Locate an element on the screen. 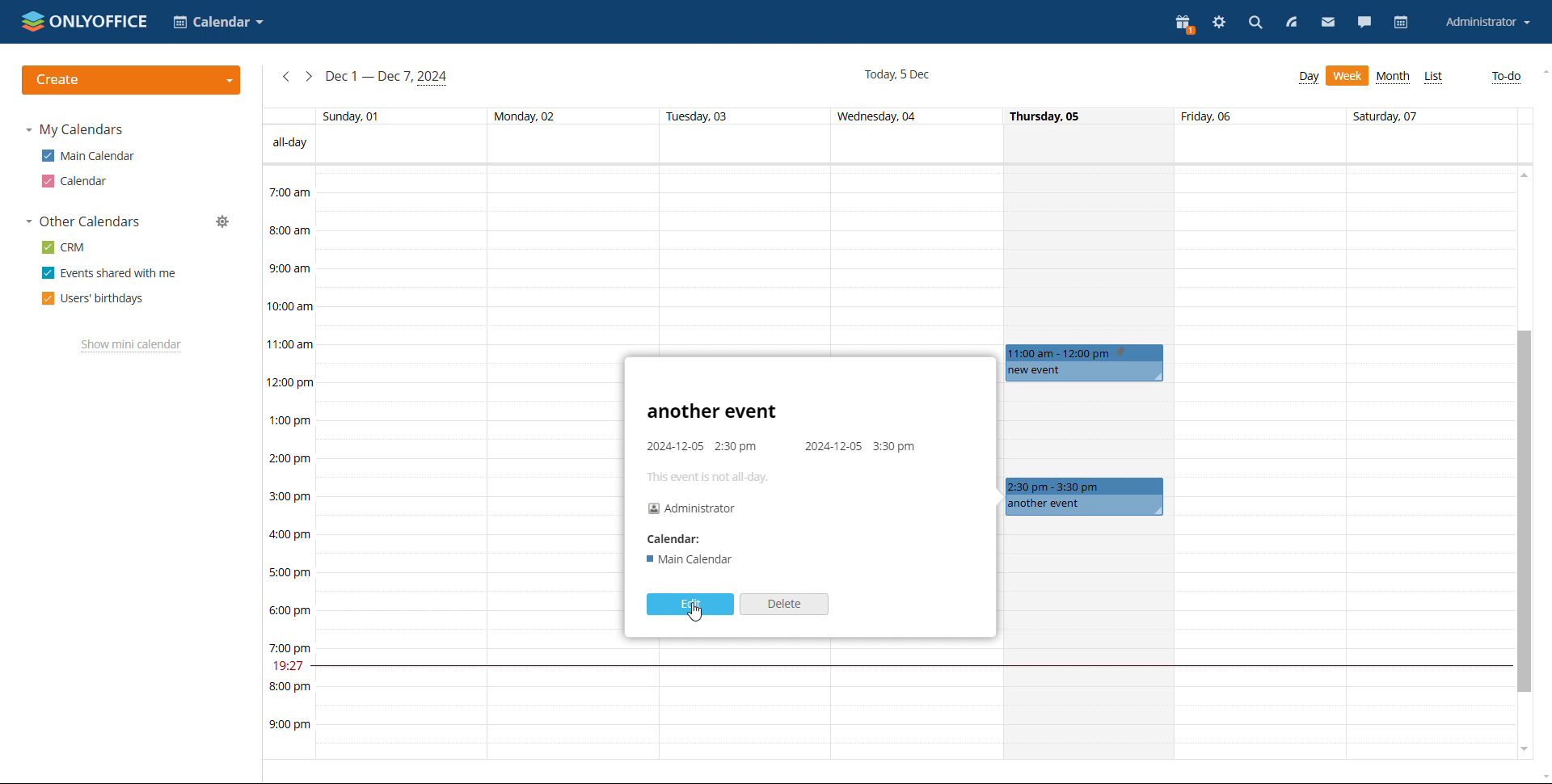 The width and height of the screenshot is (1552, 784). search is located at coordinates (1255, 23).